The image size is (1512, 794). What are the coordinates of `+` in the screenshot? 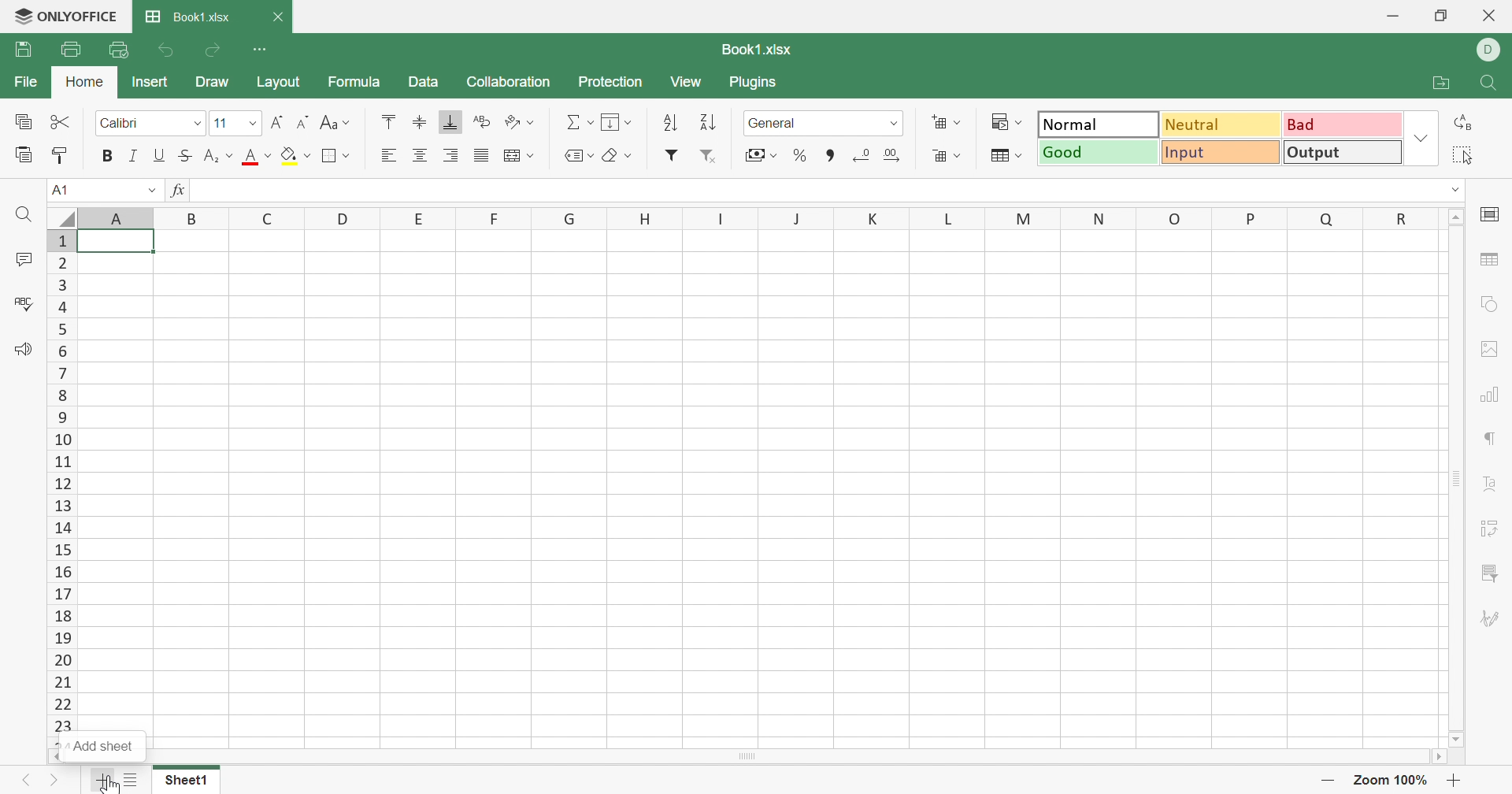 It's located at (1453, 781).